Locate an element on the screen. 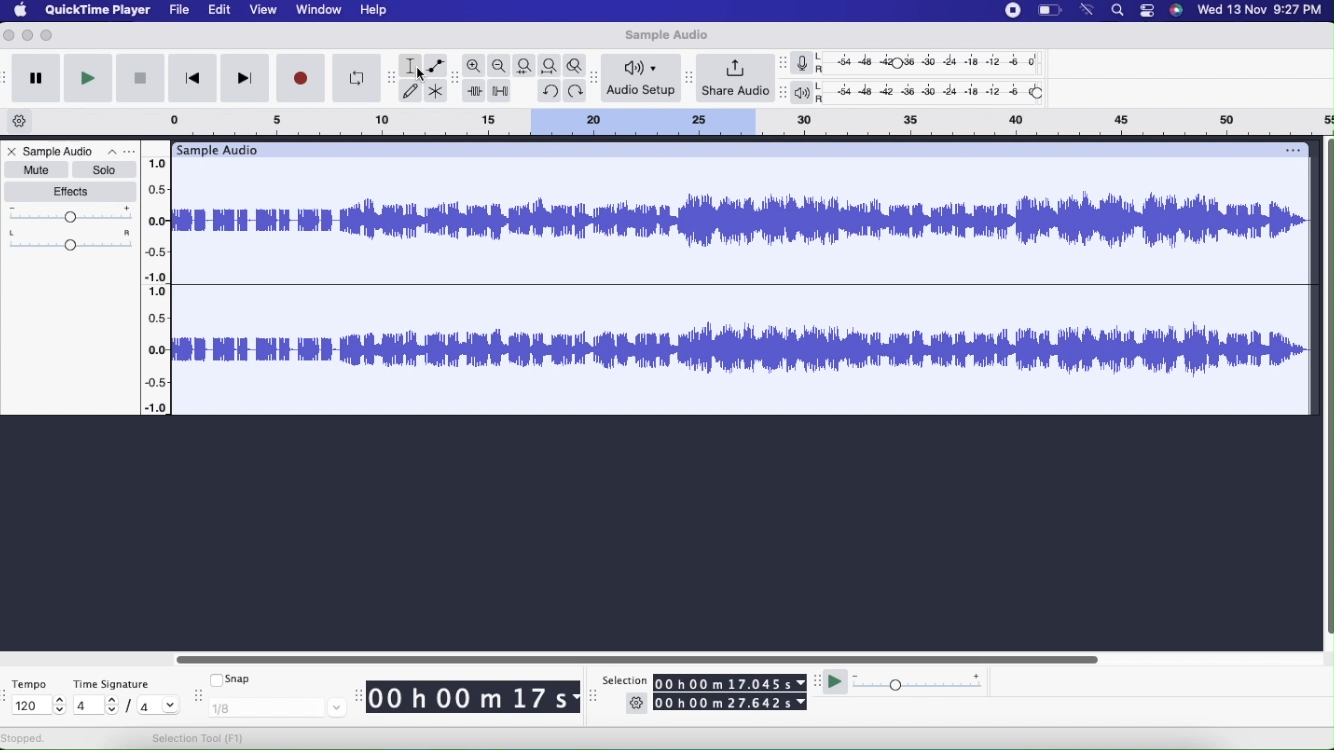 The image size is (1334, 750). app icon is located at coordinates (1177, 11).